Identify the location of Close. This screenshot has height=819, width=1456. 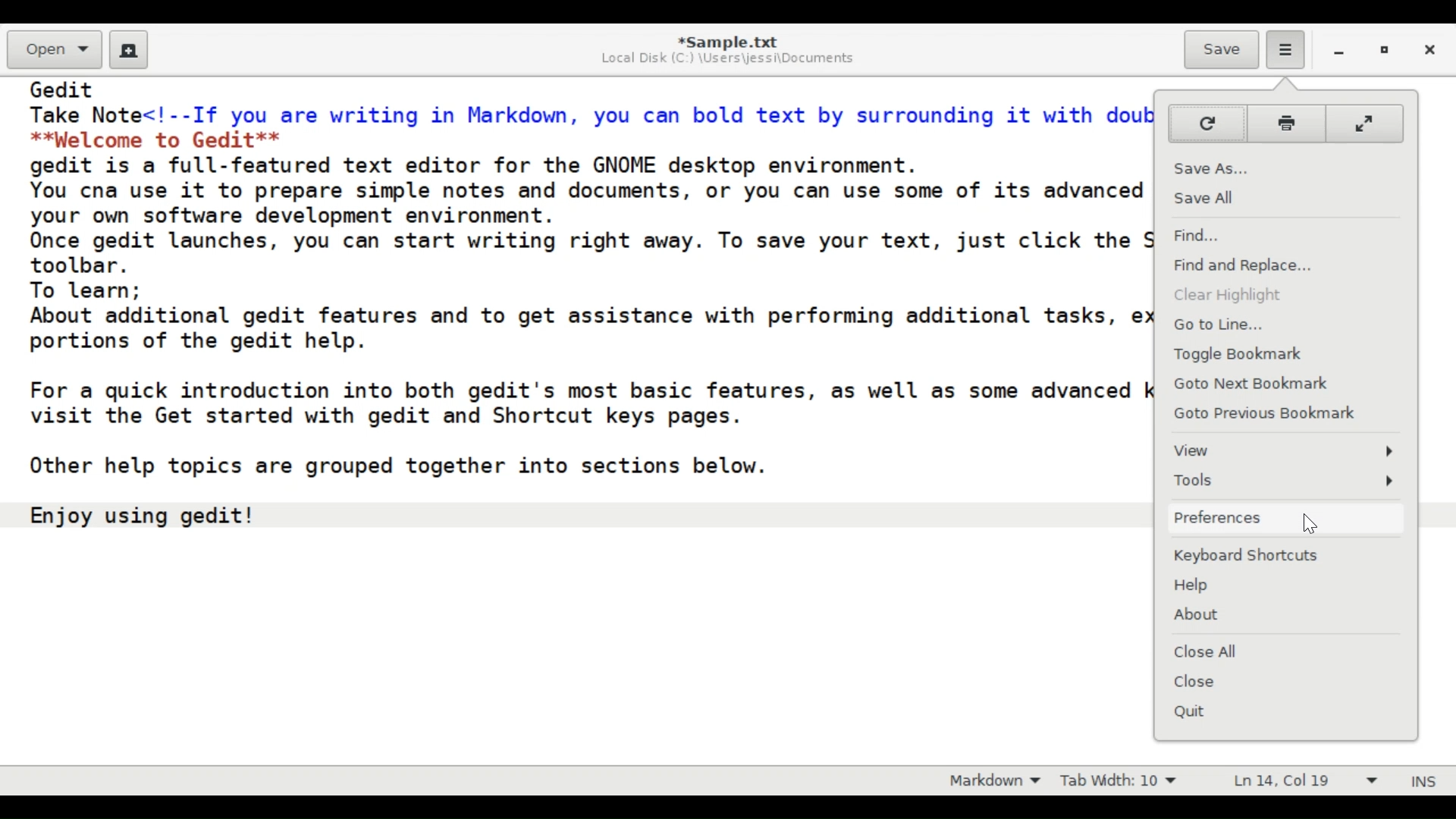
(1432, 52).